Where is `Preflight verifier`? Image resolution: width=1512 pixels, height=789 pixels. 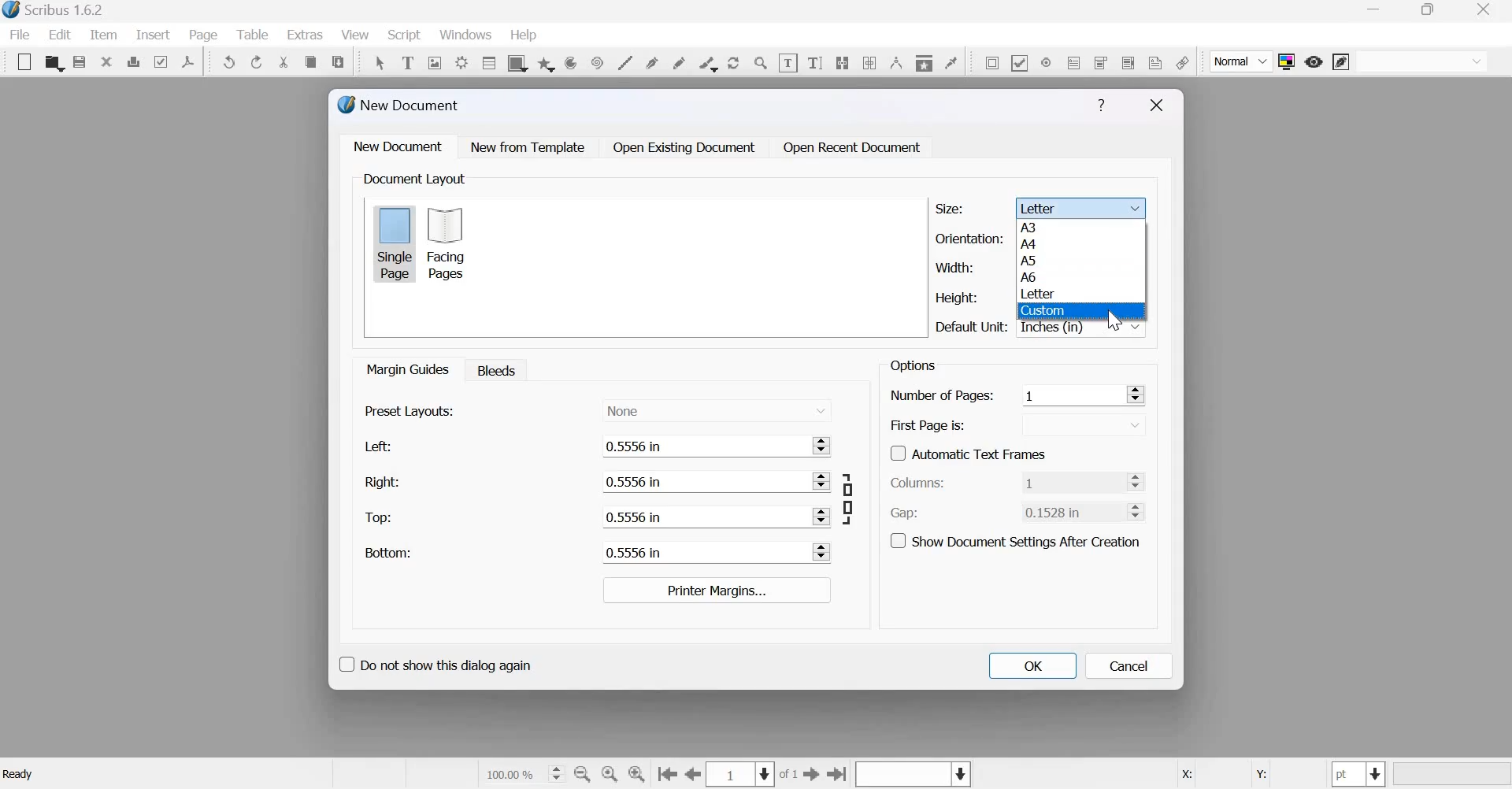 Preflight verifier is located at coordinates (160, 61).